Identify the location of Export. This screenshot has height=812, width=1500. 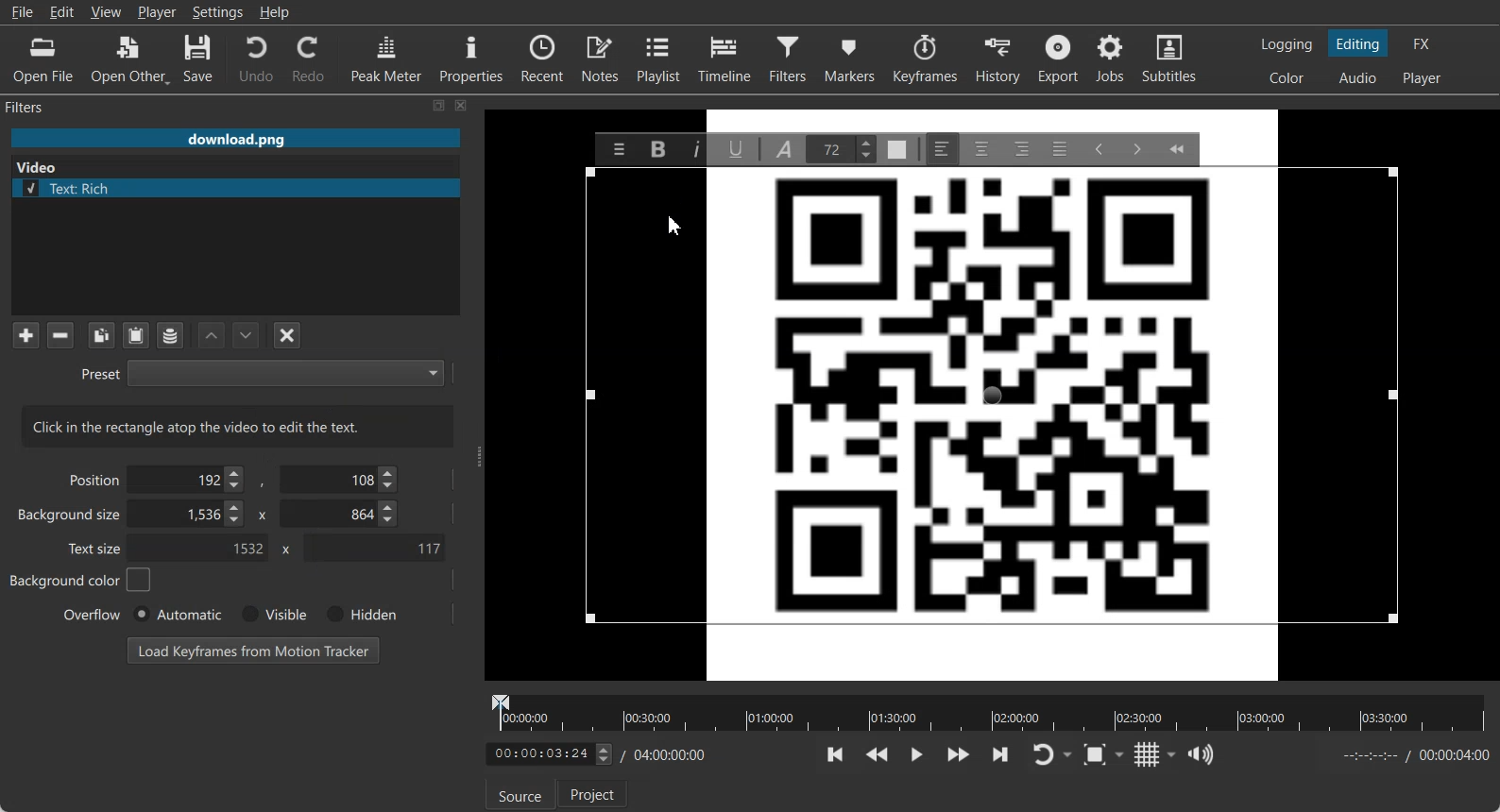
(1061, 59).